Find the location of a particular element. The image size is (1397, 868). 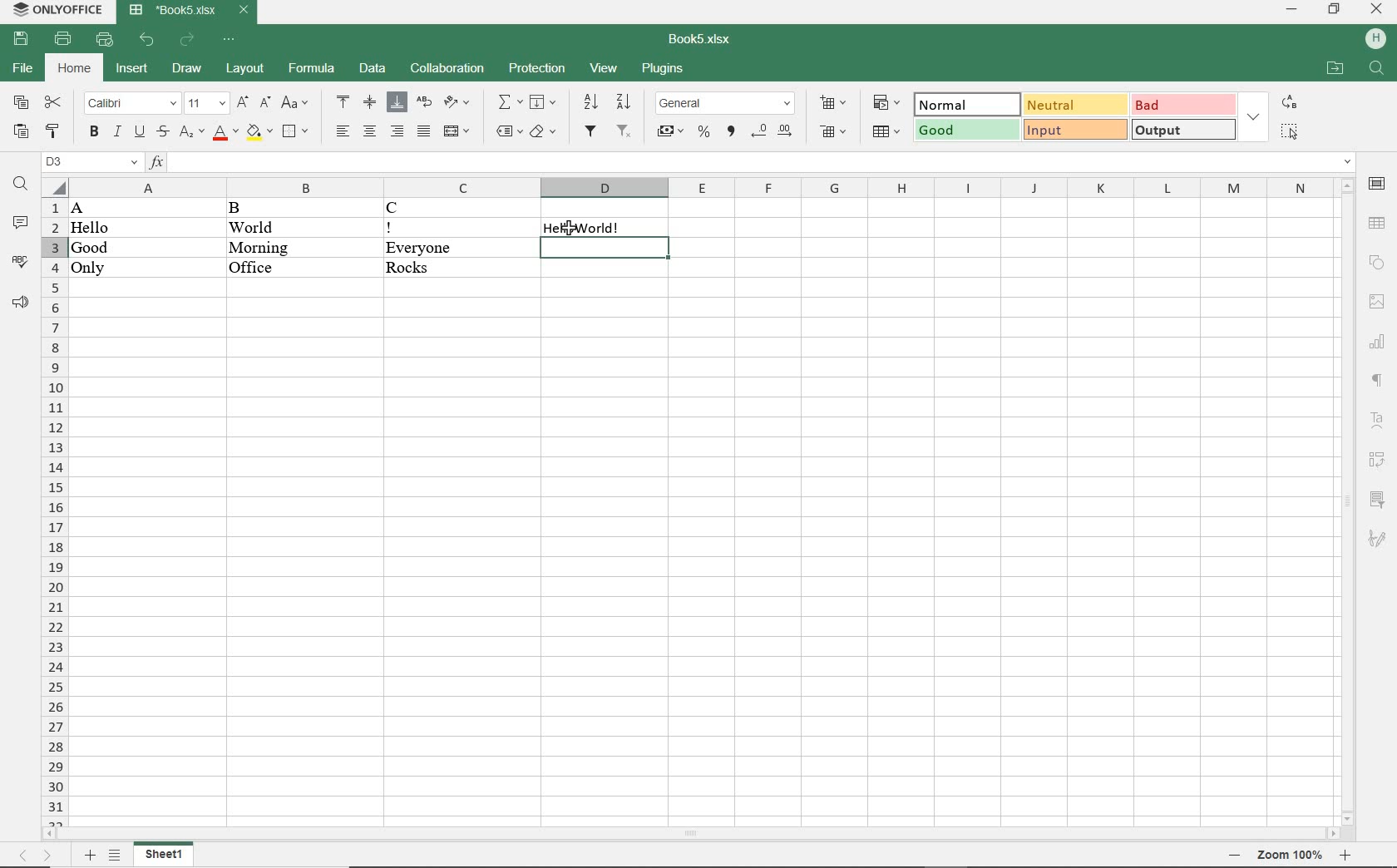

zoom in or zoom out is located at coordinates (1289, 854).